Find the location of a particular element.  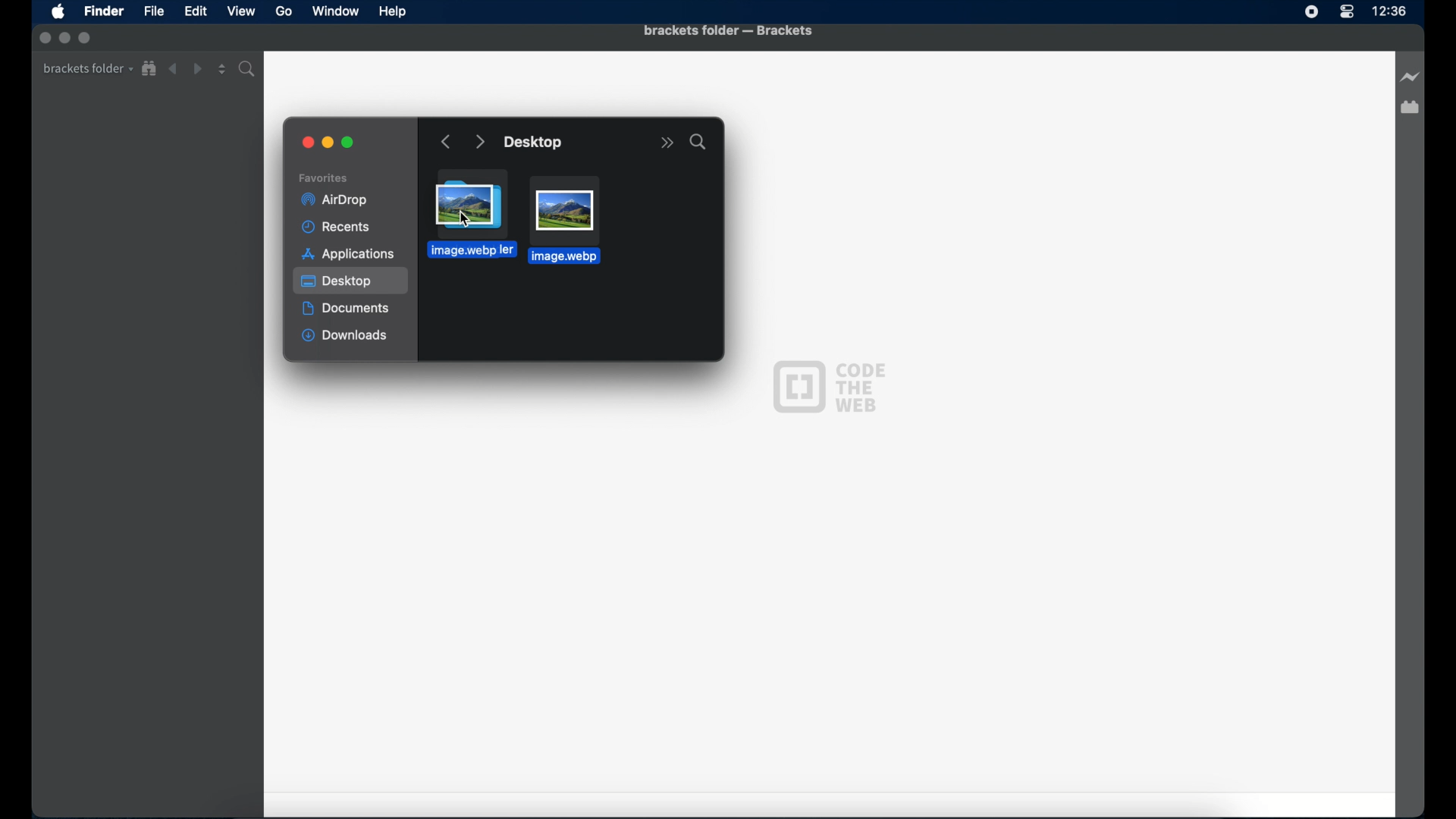

desktop is located at coordinates (352, 281).